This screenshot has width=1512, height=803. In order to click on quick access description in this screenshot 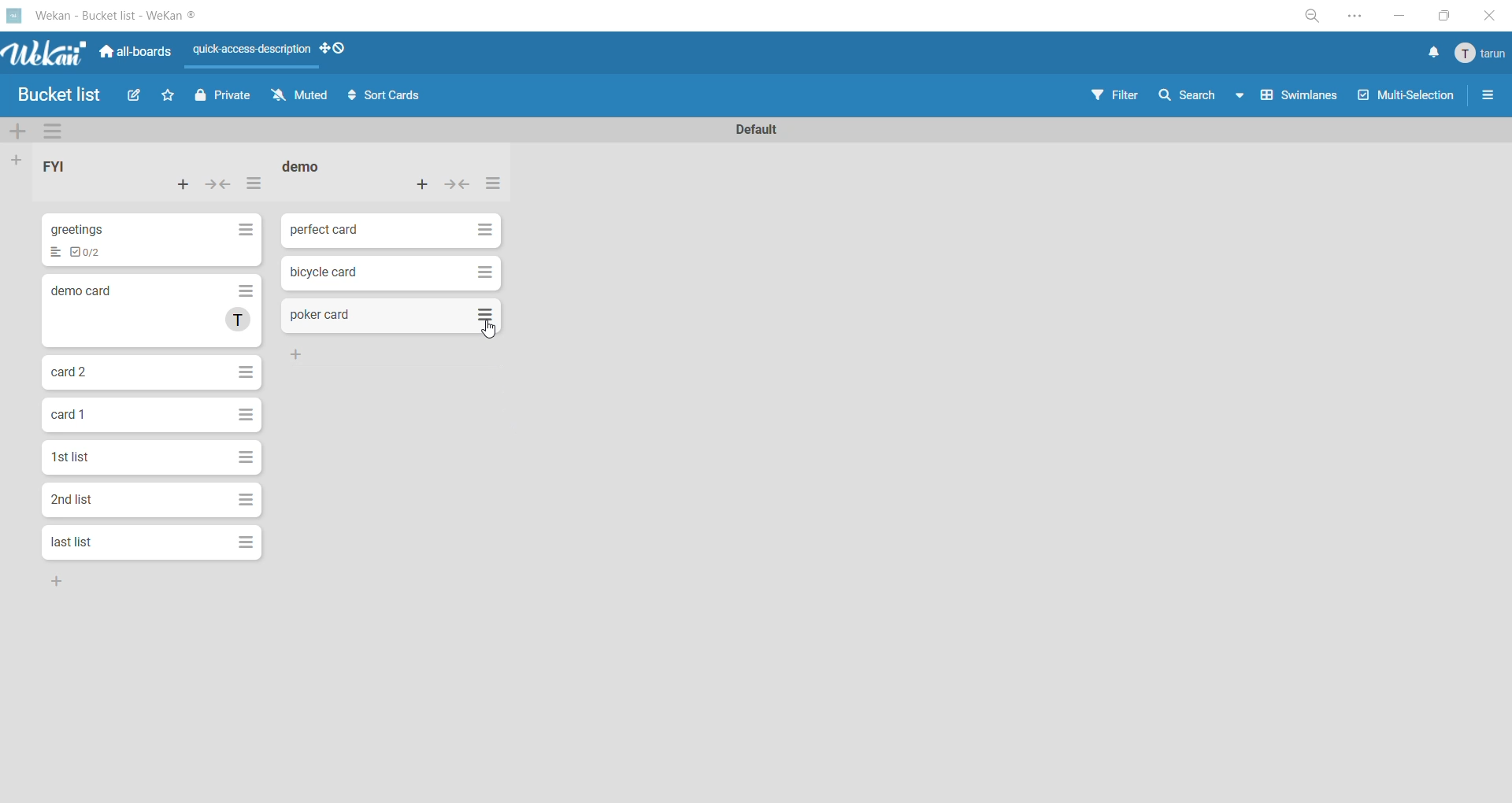, I will do `click(254, 55)`.